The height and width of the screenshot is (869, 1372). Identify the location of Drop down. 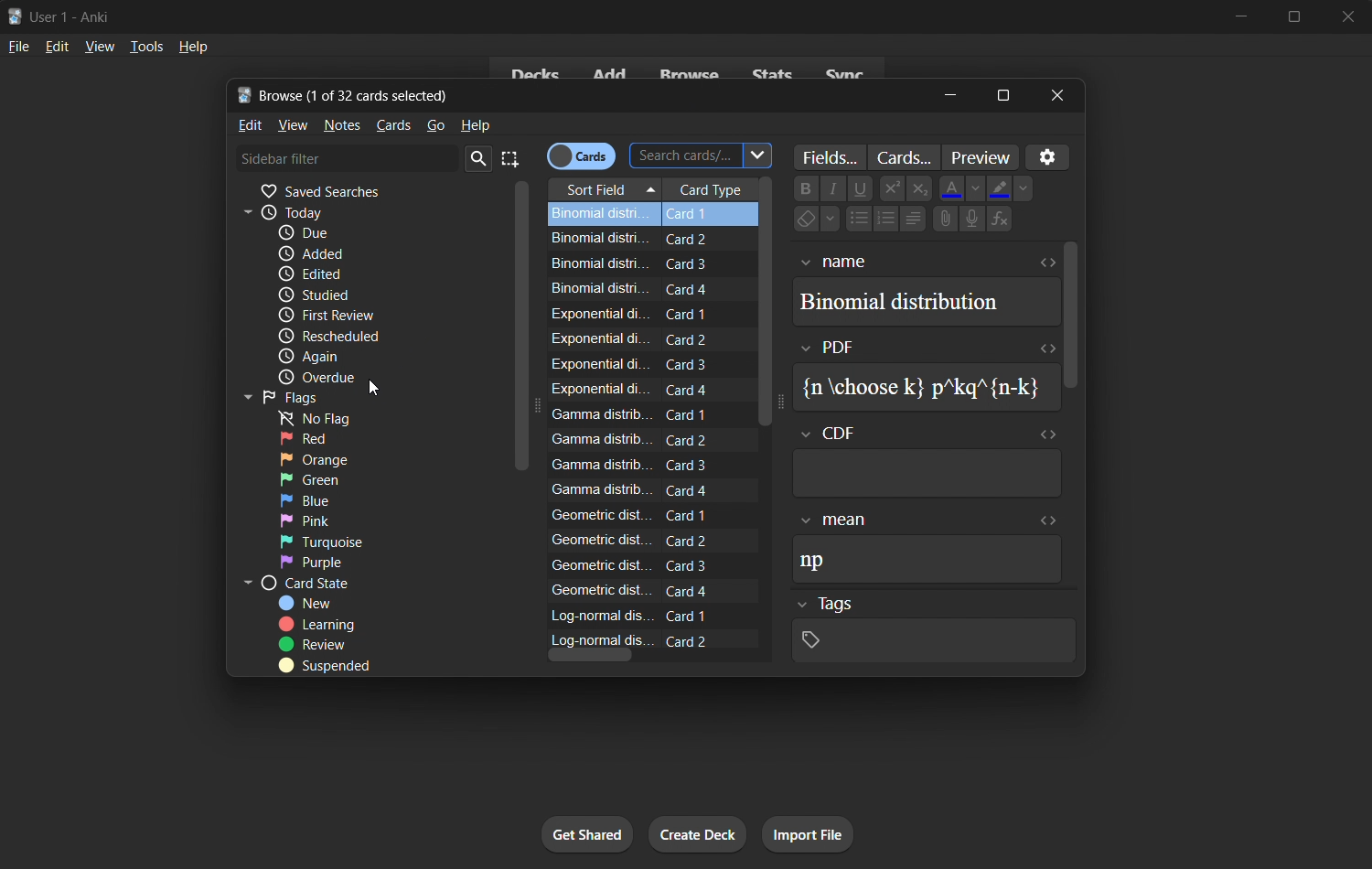
(800, 604).